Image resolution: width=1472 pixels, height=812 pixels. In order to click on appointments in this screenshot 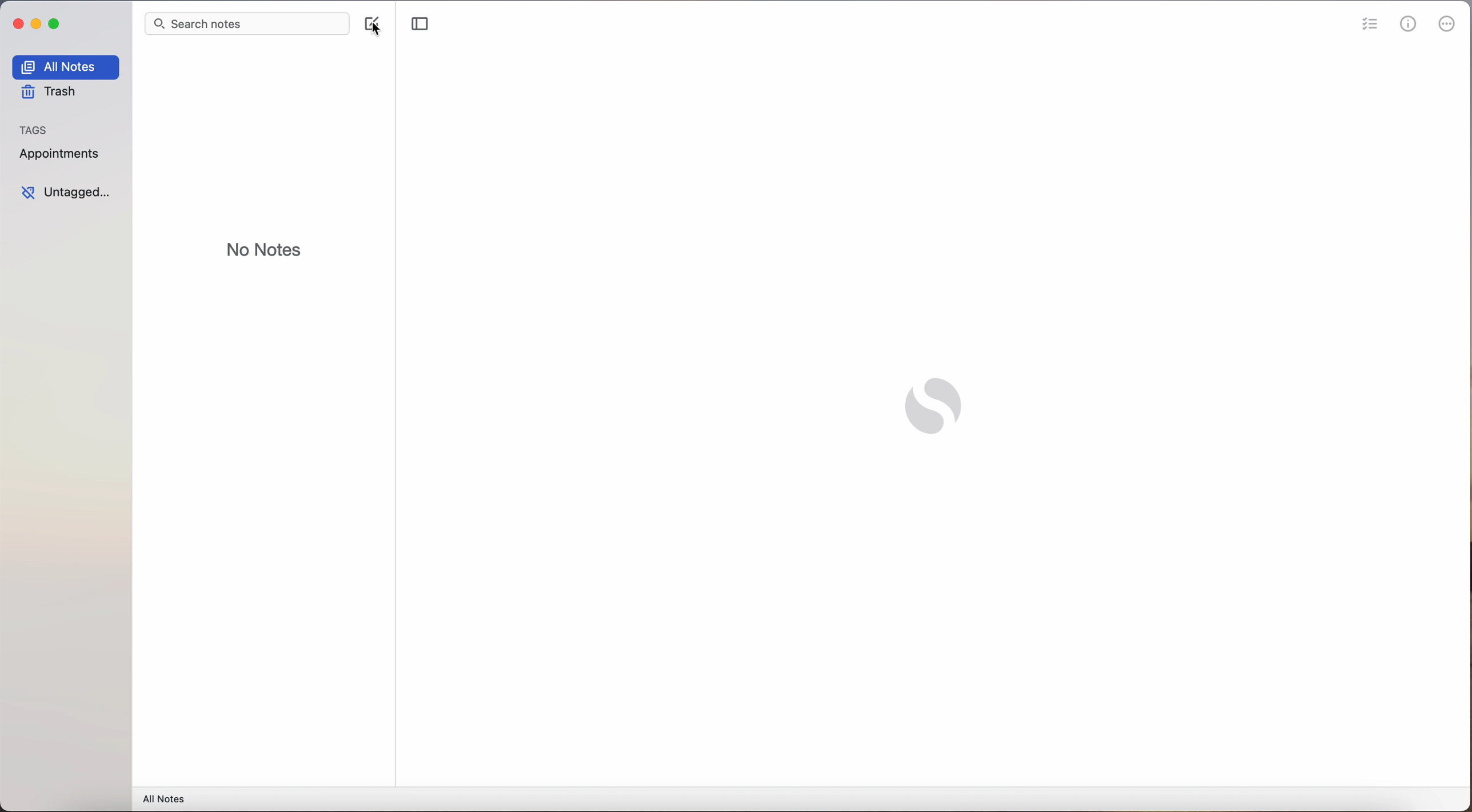, I will do `click(61, 156)`.